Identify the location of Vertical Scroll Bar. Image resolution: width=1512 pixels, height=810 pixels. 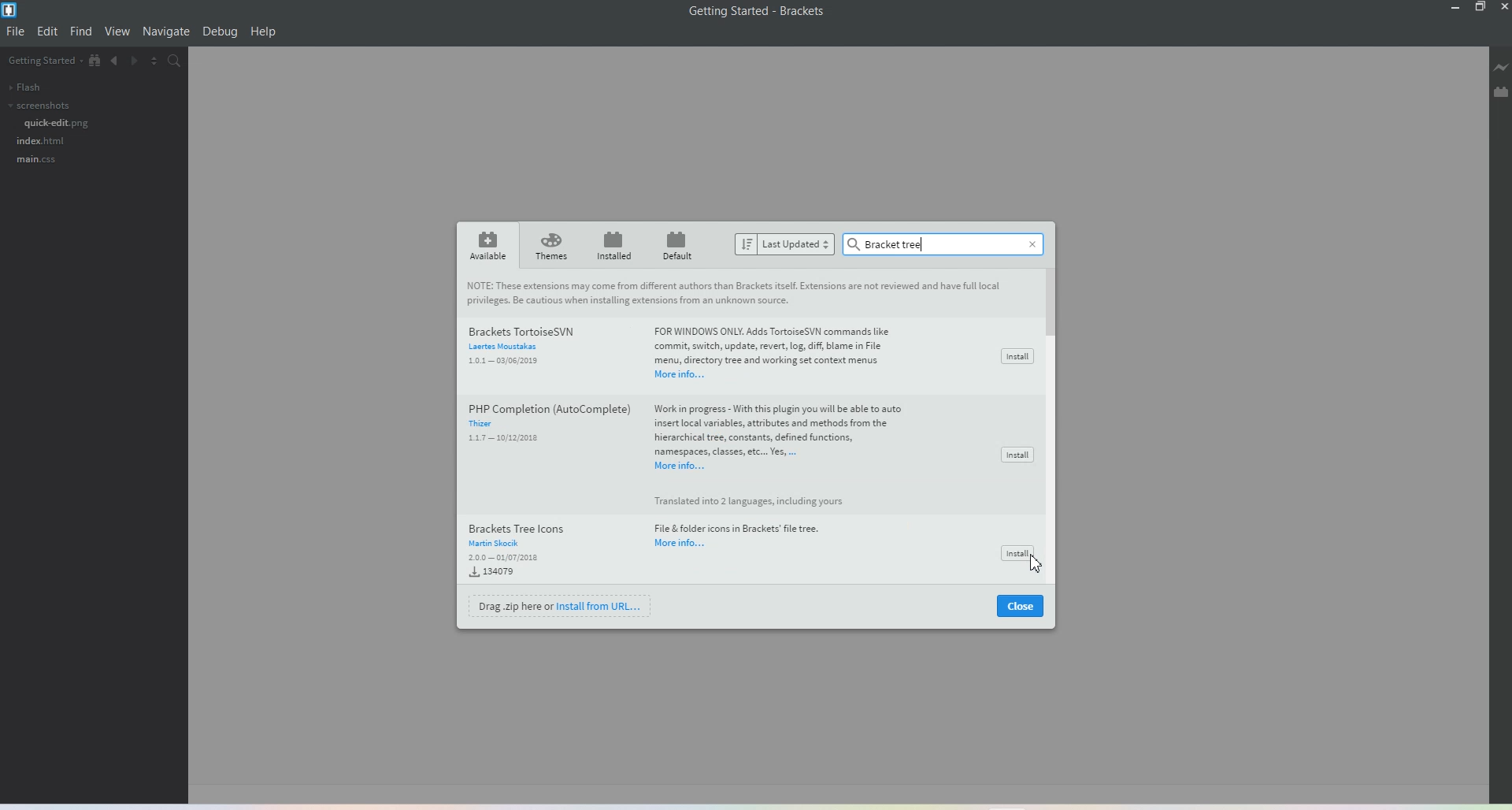
(1054, 429).